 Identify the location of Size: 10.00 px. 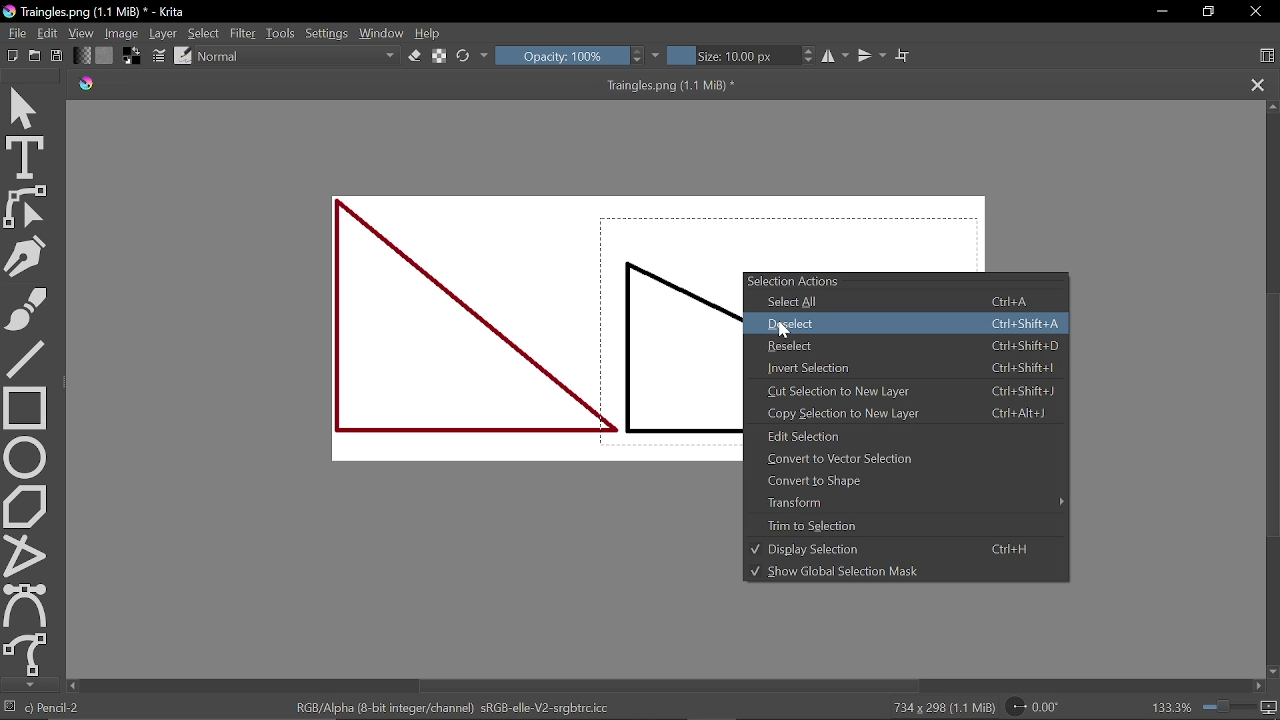
(743, 55).